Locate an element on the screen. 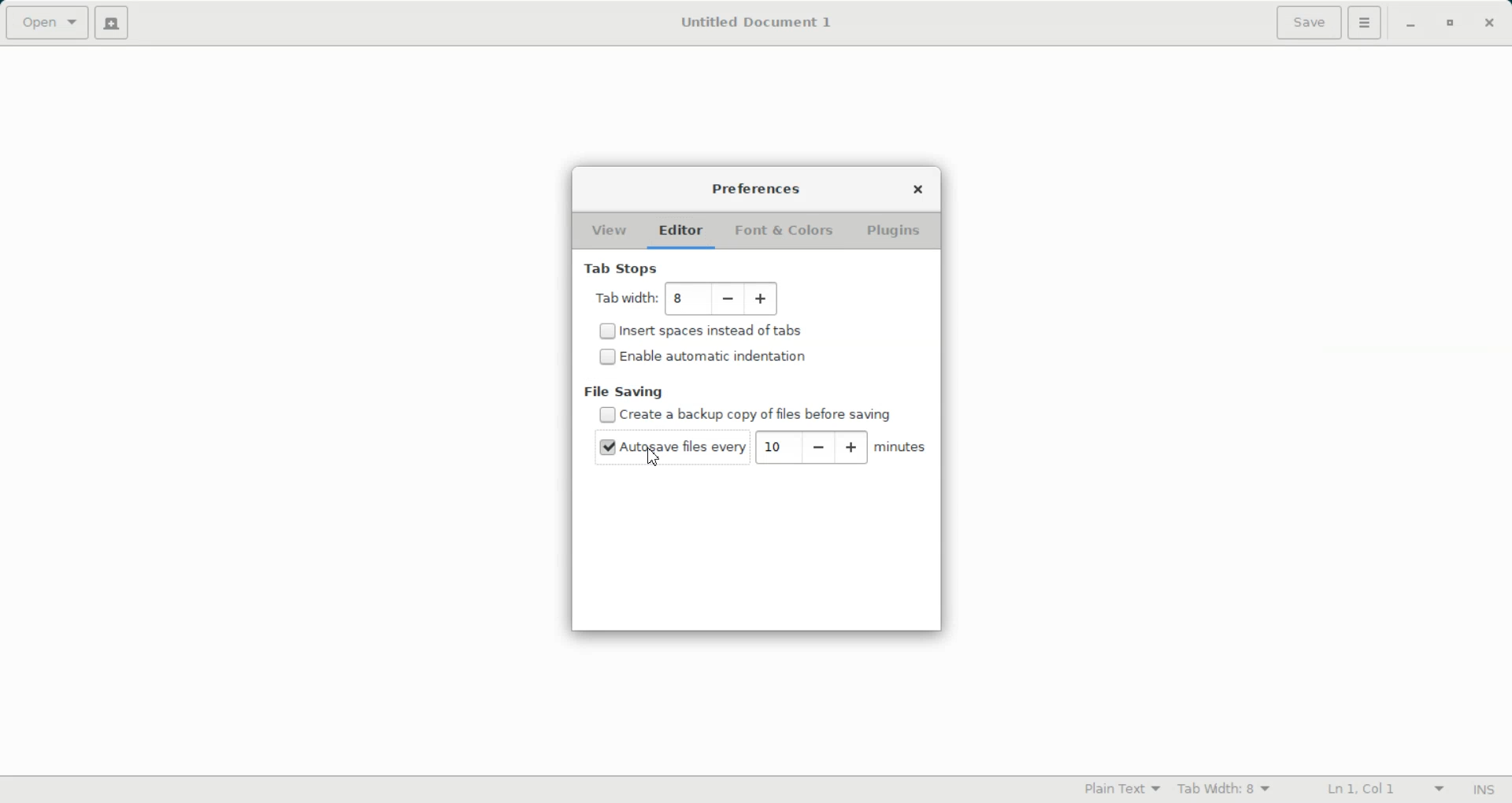 Image resolution: width=1512 pixels, height=803 pixels. Insert is located at coordinates (1485, 790).